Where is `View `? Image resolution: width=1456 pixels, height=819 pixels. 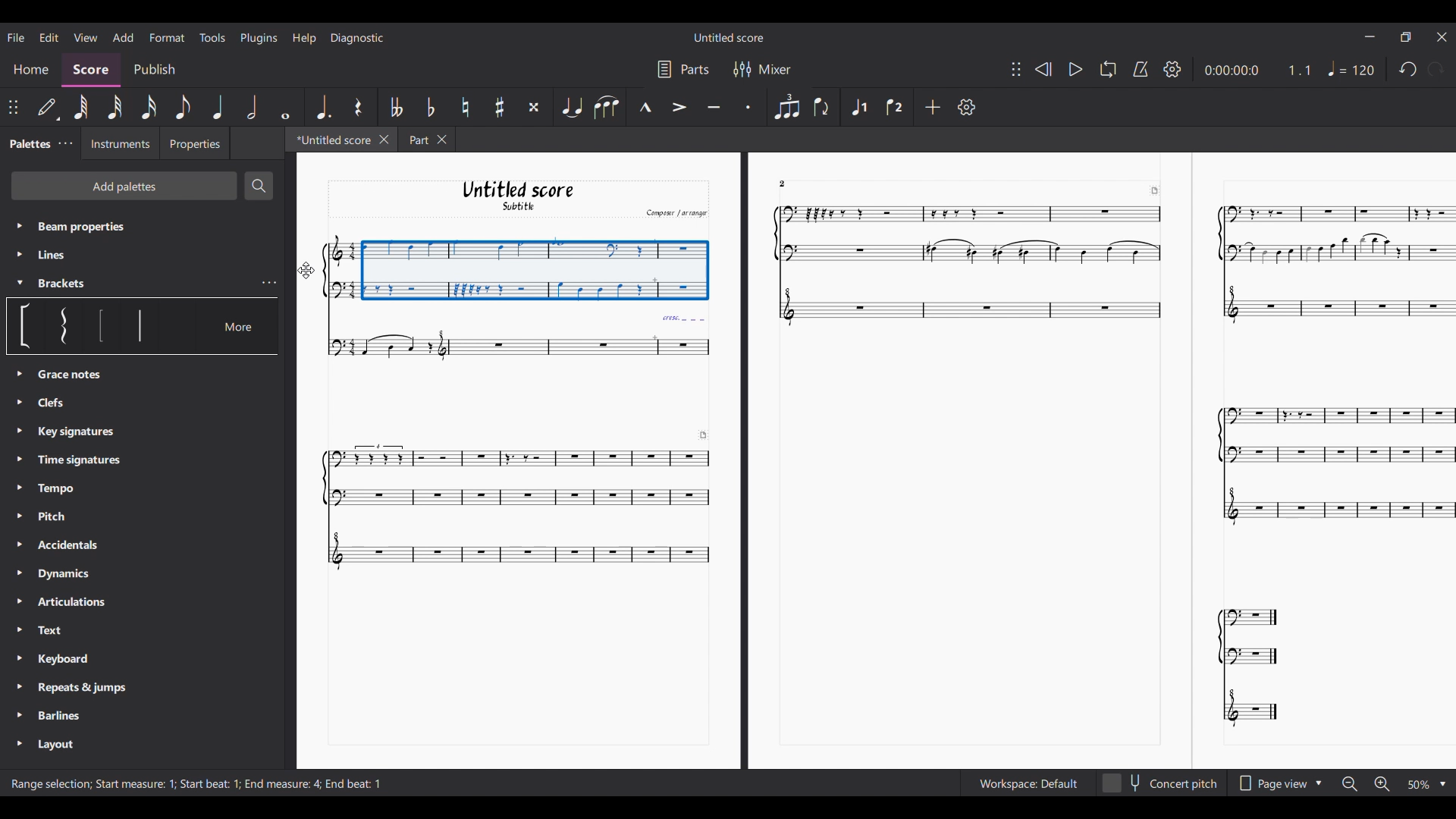
View  is located at coordinates (86, 37).